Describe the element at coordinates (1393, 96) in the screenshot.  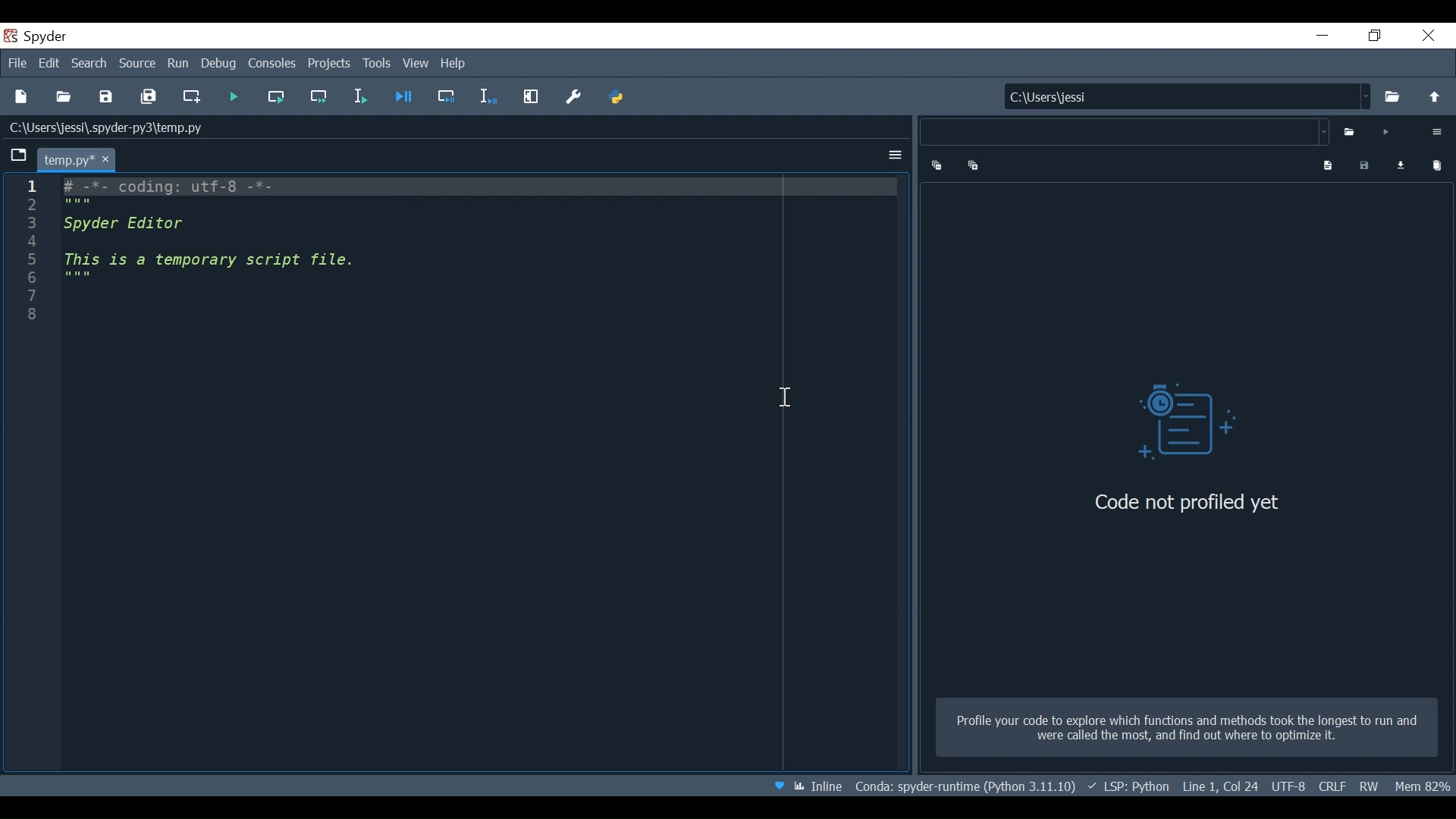
I see `Browse` at that location.